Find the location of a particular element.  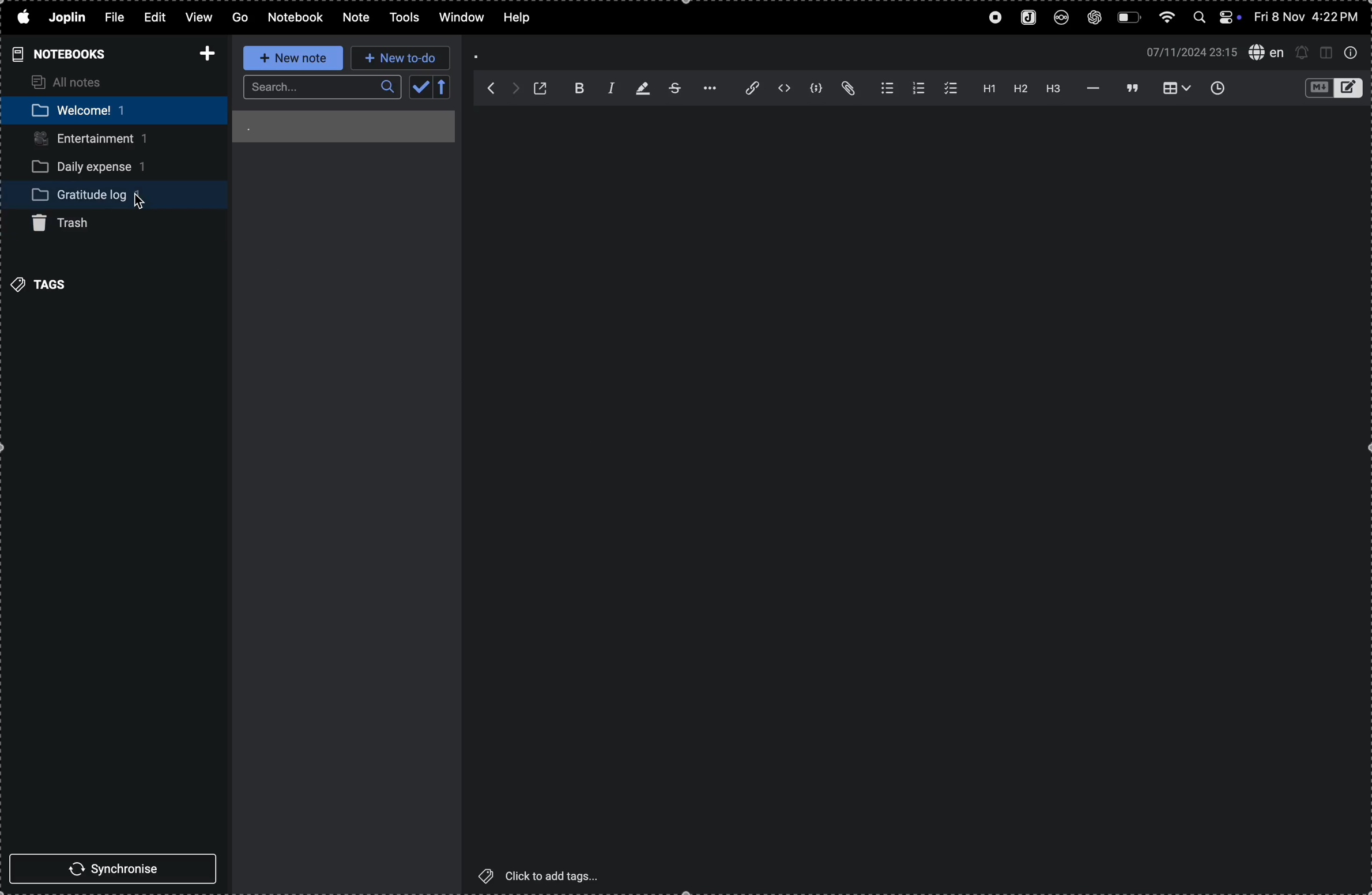

gratitude log is located at coordinates (84, 194).